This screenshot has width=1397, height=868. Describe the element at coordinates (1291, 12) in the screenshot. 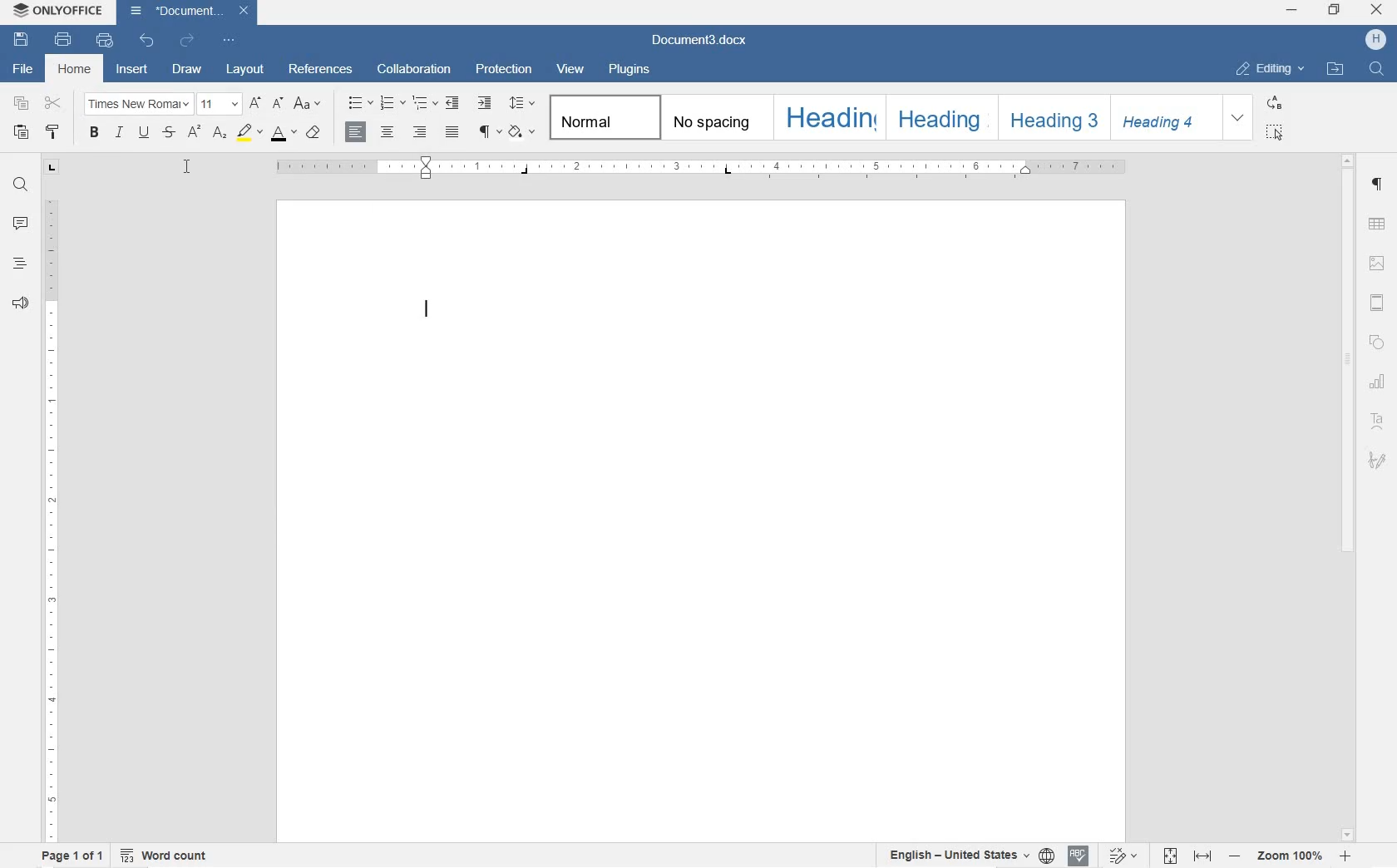

I see `minimize` at that location.